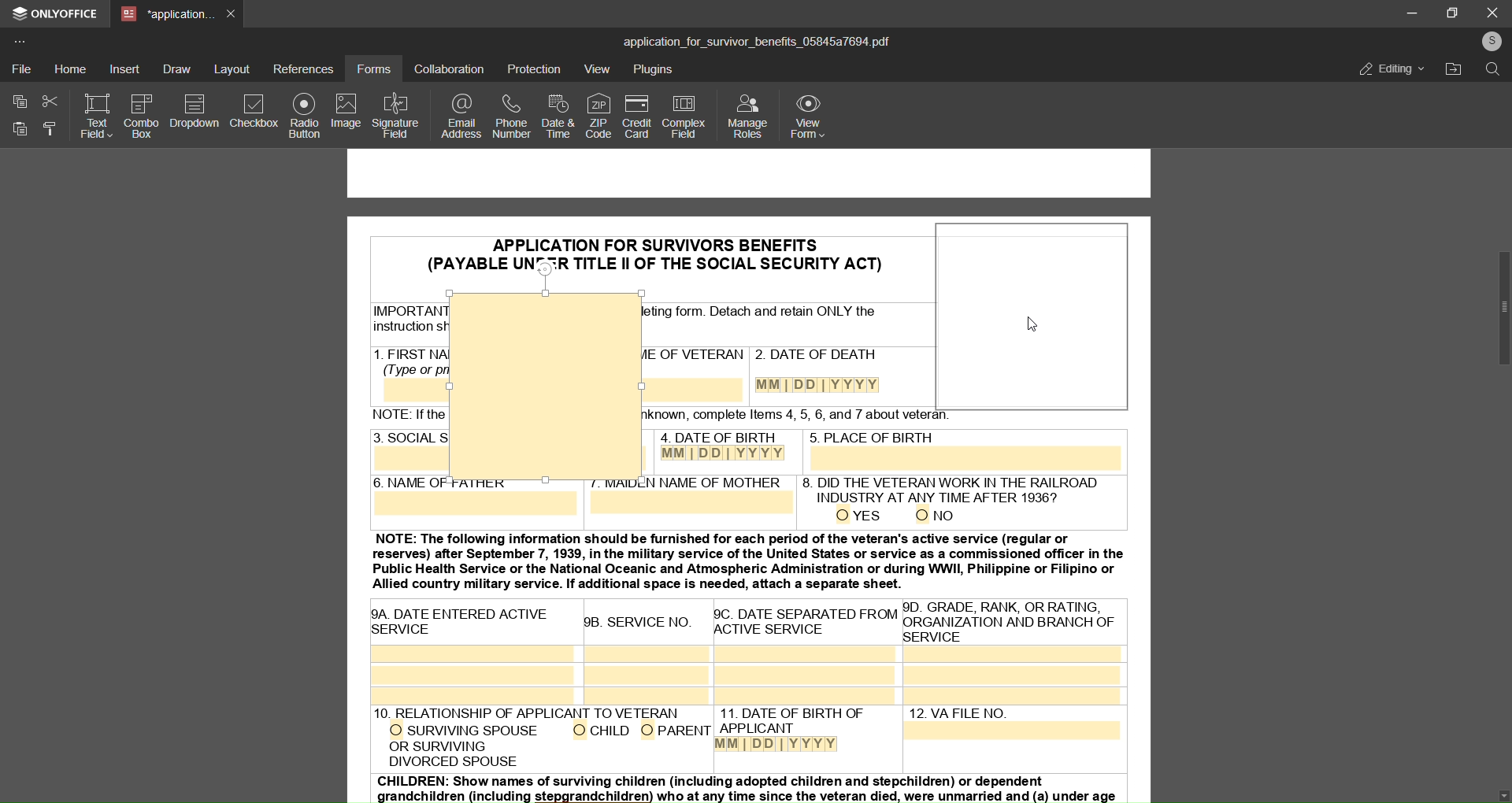 Image resolution: width=1512 pixels, height=803 pixels. Describe the element at coordinates (142, 115) in the screenshot. I see `combo box` at that location.